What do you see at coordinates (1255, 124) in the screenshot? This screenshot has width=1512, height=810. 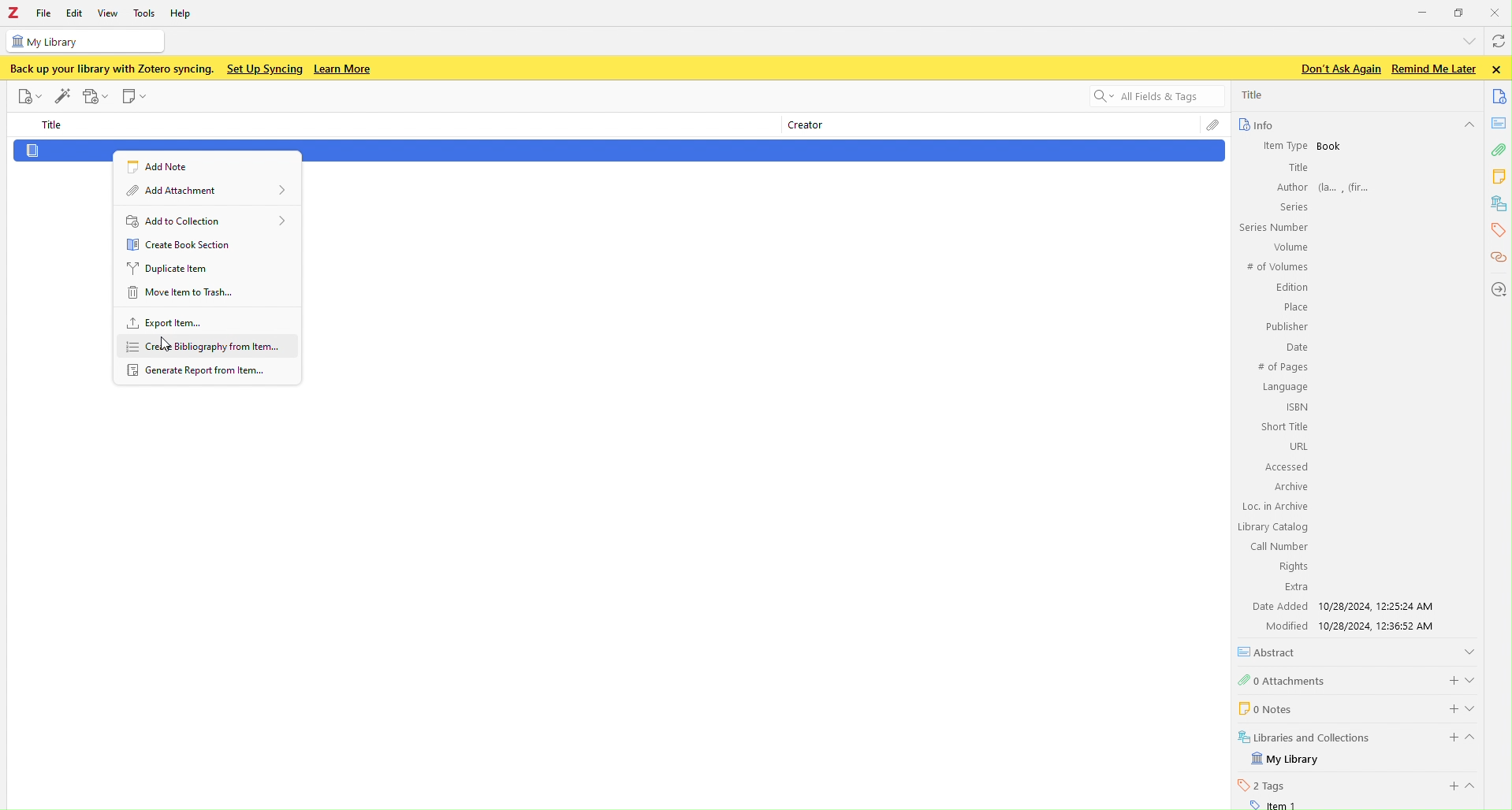 I see `Info` at bounding box center [1255, 124].